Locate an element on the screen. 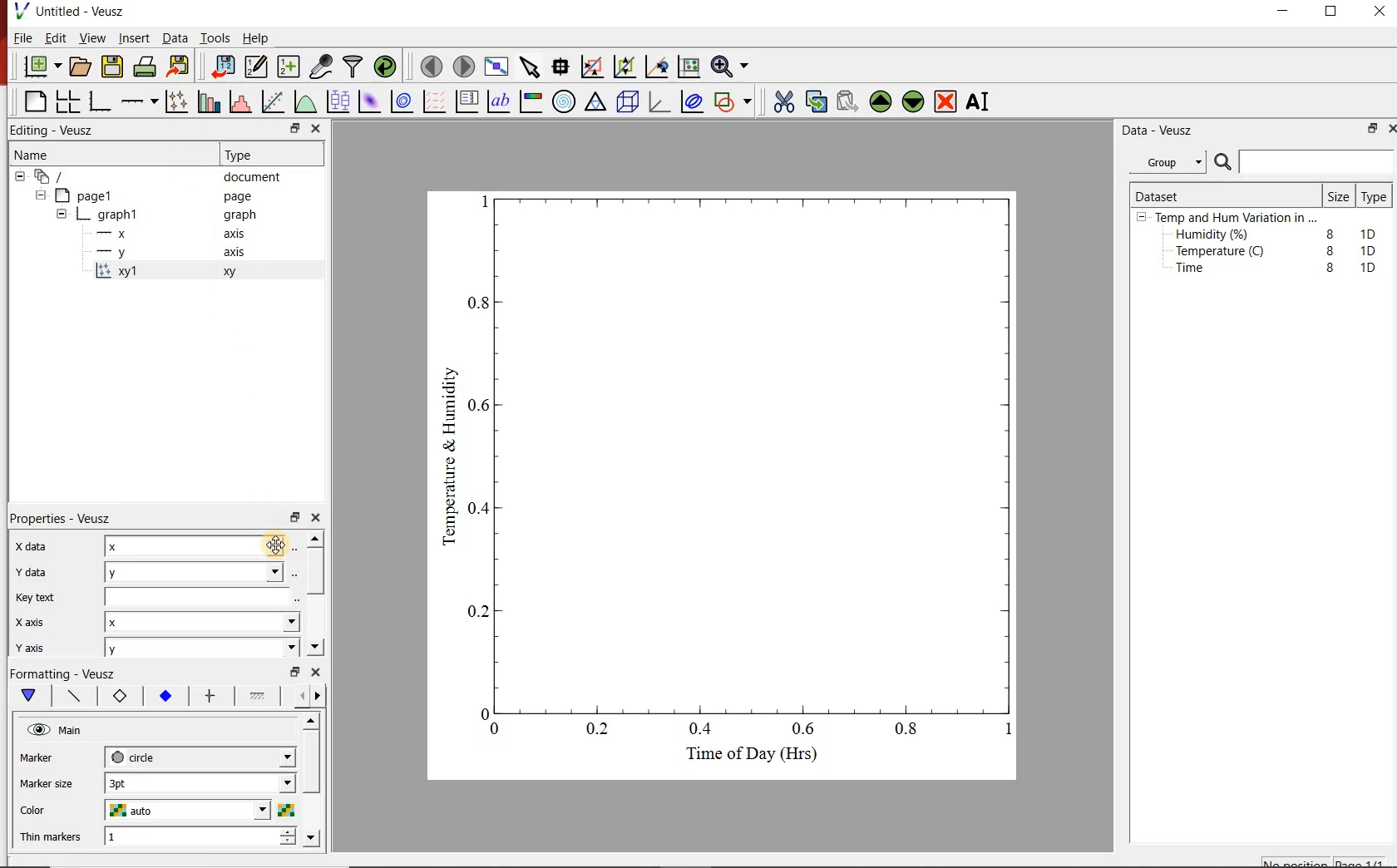 This screenshot has width=1397, height=868. page1/1 is located at coordinates (1365, 861).